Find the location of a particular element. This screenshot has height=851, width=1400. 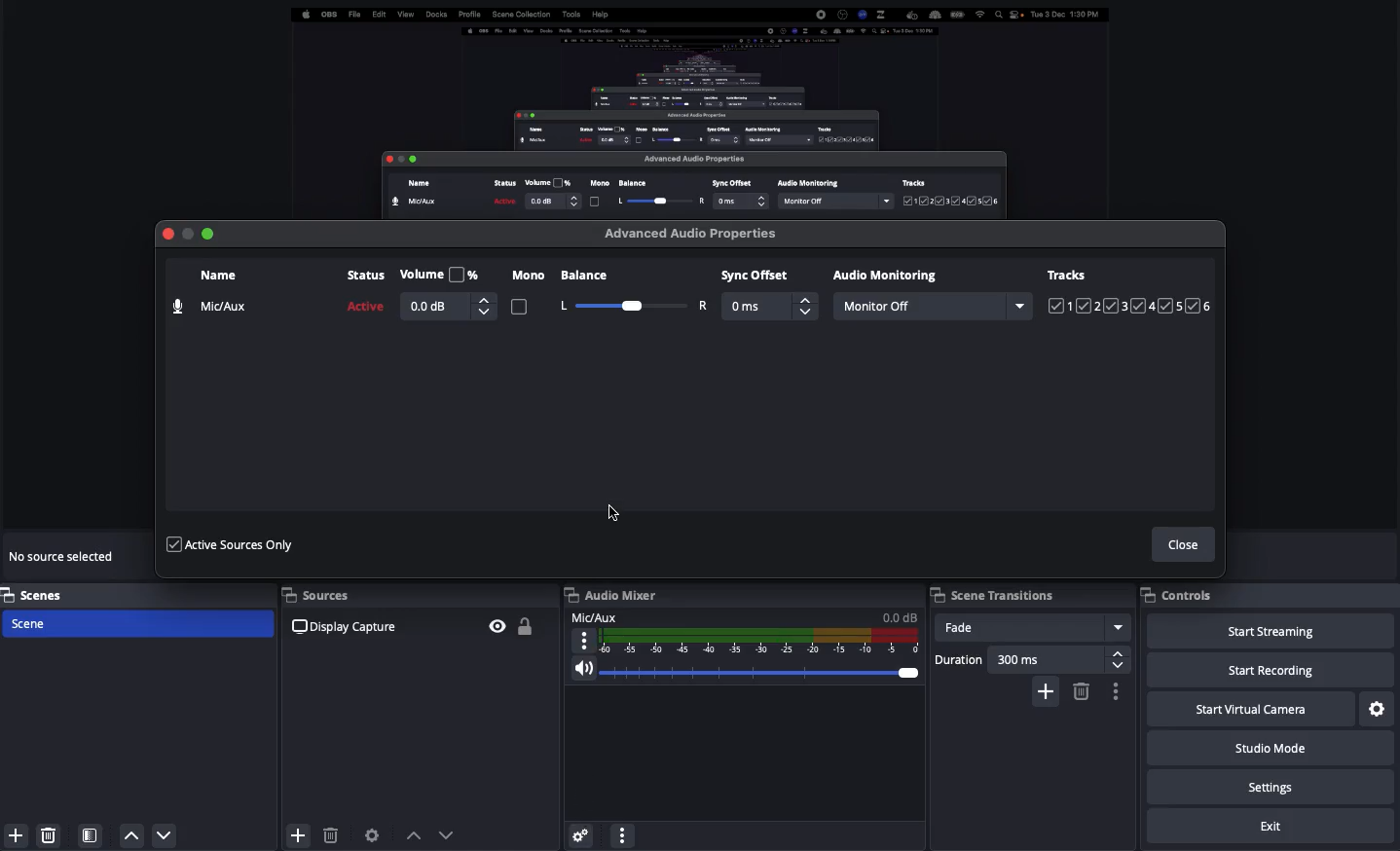

Close is located at coordinates (1187, 546).